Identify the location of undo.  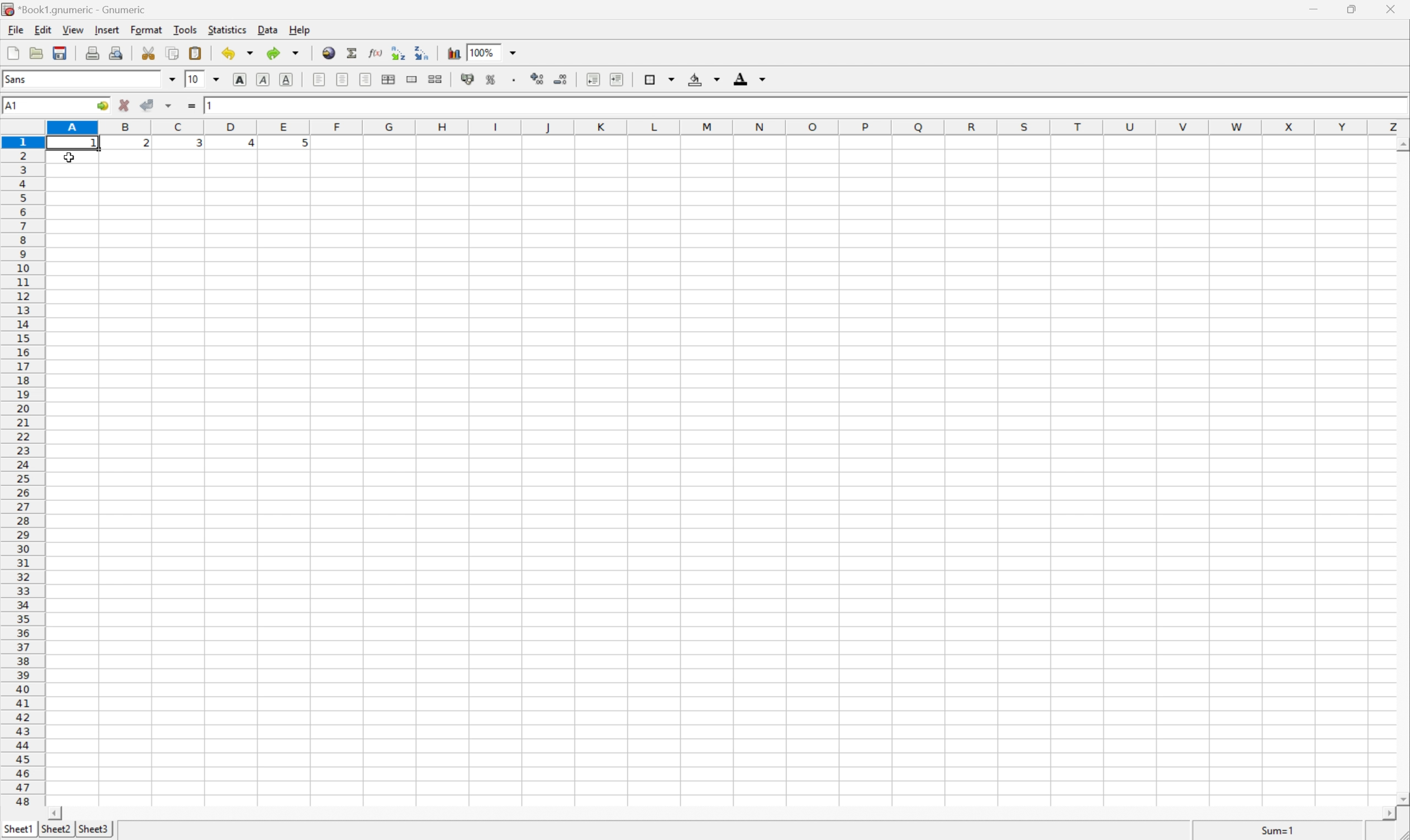
(238, 52).